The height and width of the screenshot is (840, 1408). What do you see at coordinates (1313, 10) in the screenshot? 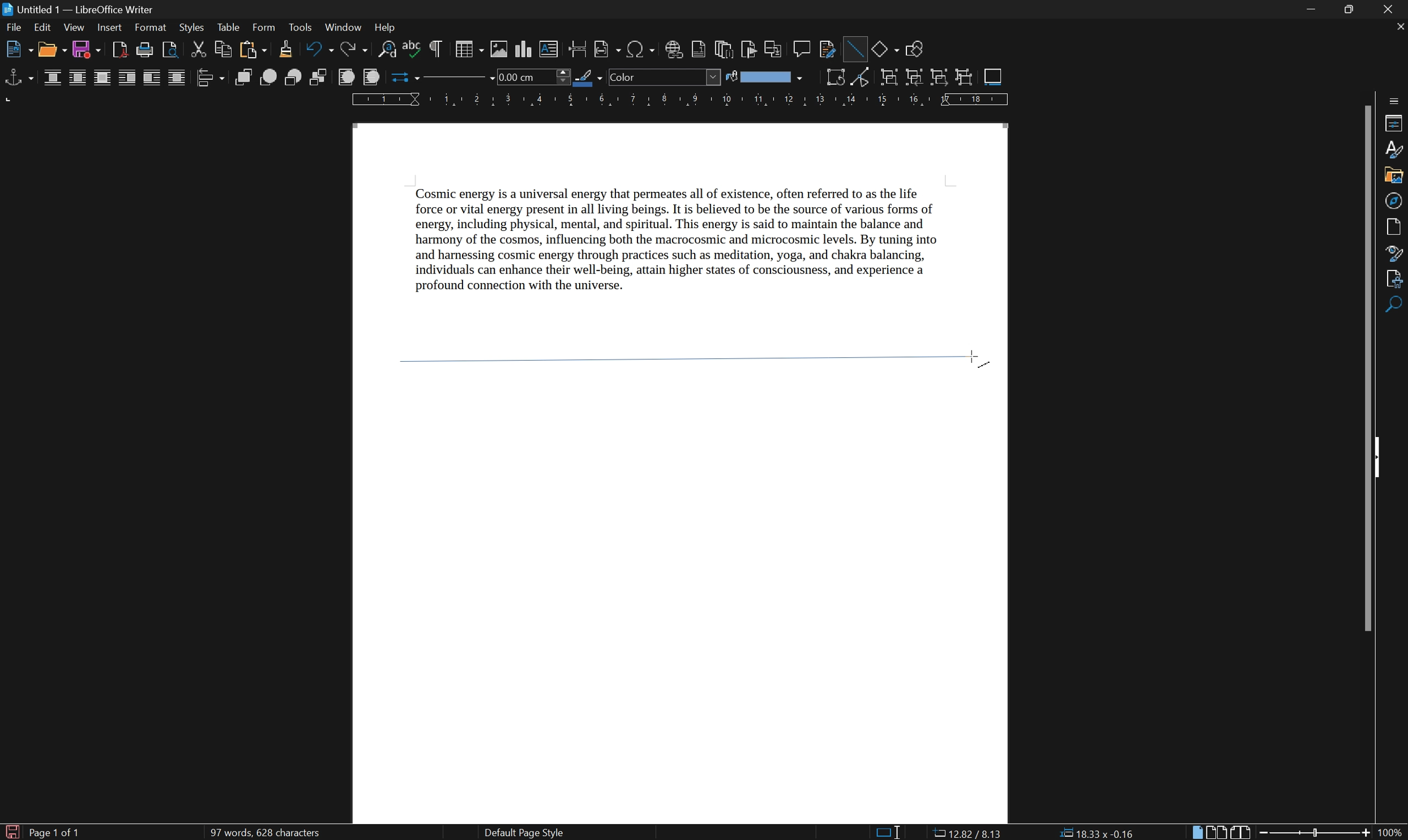
I see `minimize` at bounding box center [1313, 10].